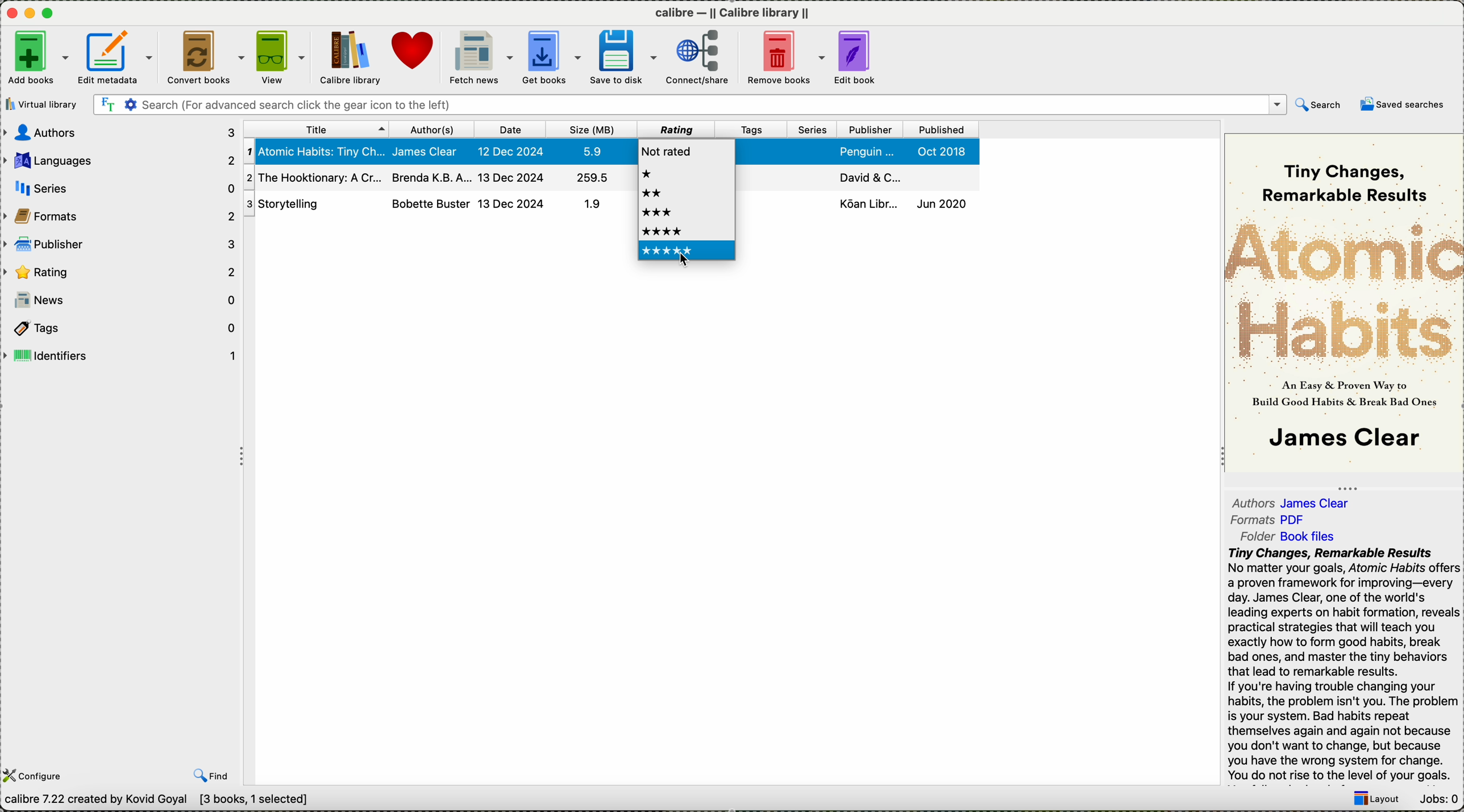 This screenshot has width=1464, height=812. Describe the element at coordinates (735, 13) in the screenshot. I see `Calibre-|| cailiber library ||` at that location.